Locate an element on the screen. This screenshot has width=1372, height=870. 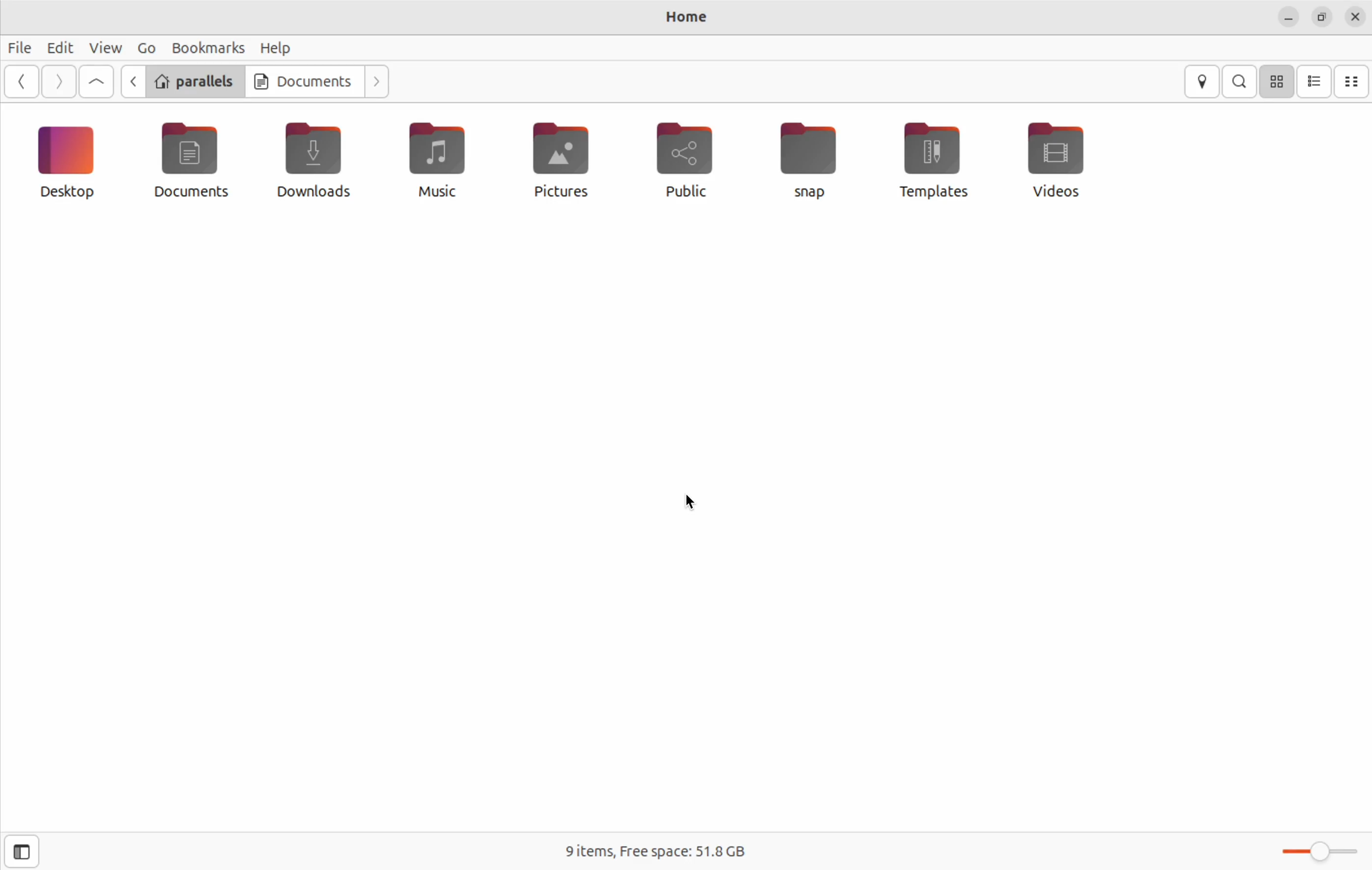
downloads is located at coordinates (313, 157).